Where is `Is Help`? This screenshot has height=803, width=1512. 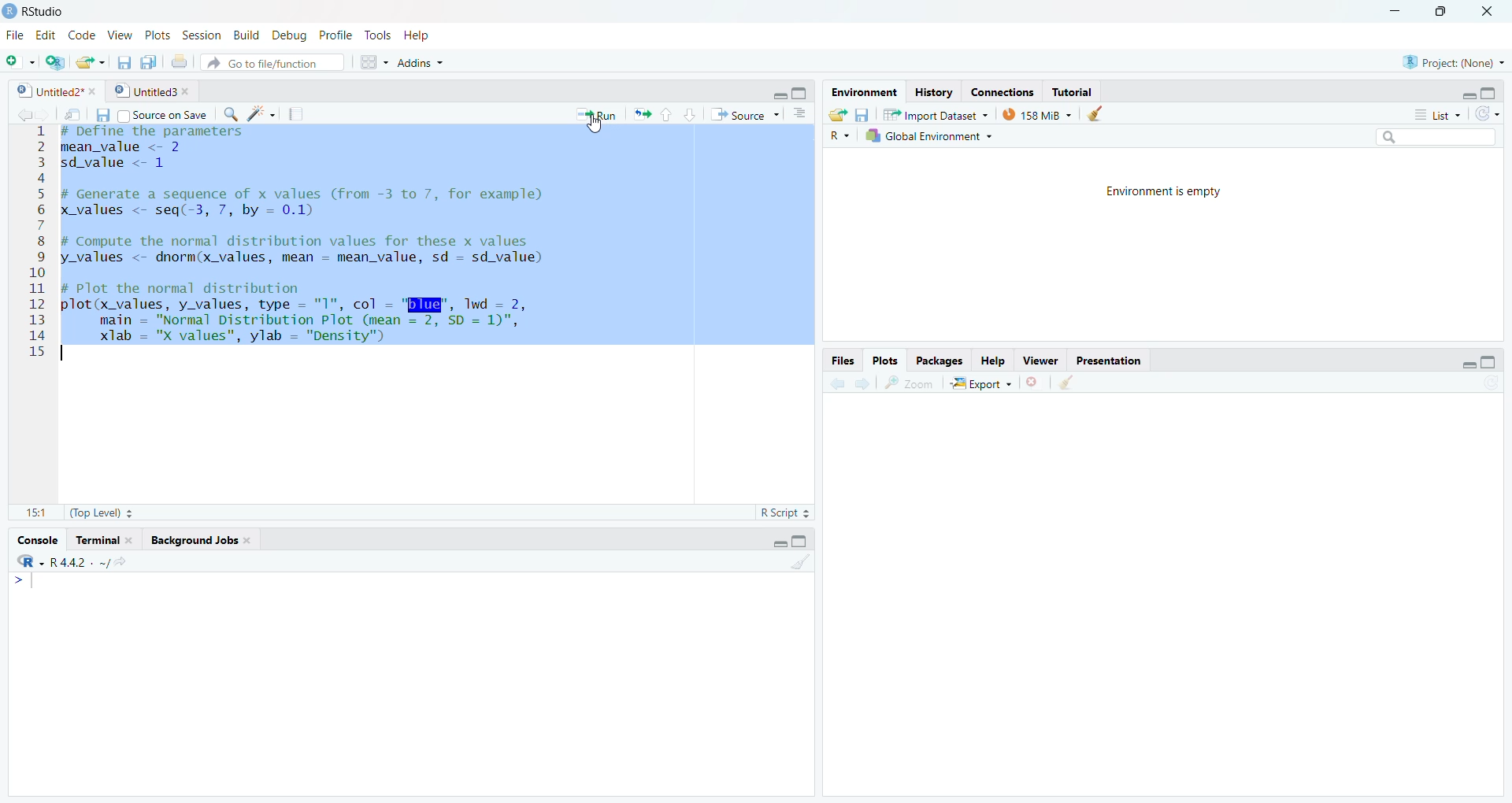 Is Help is located at coordinates (424, 31).